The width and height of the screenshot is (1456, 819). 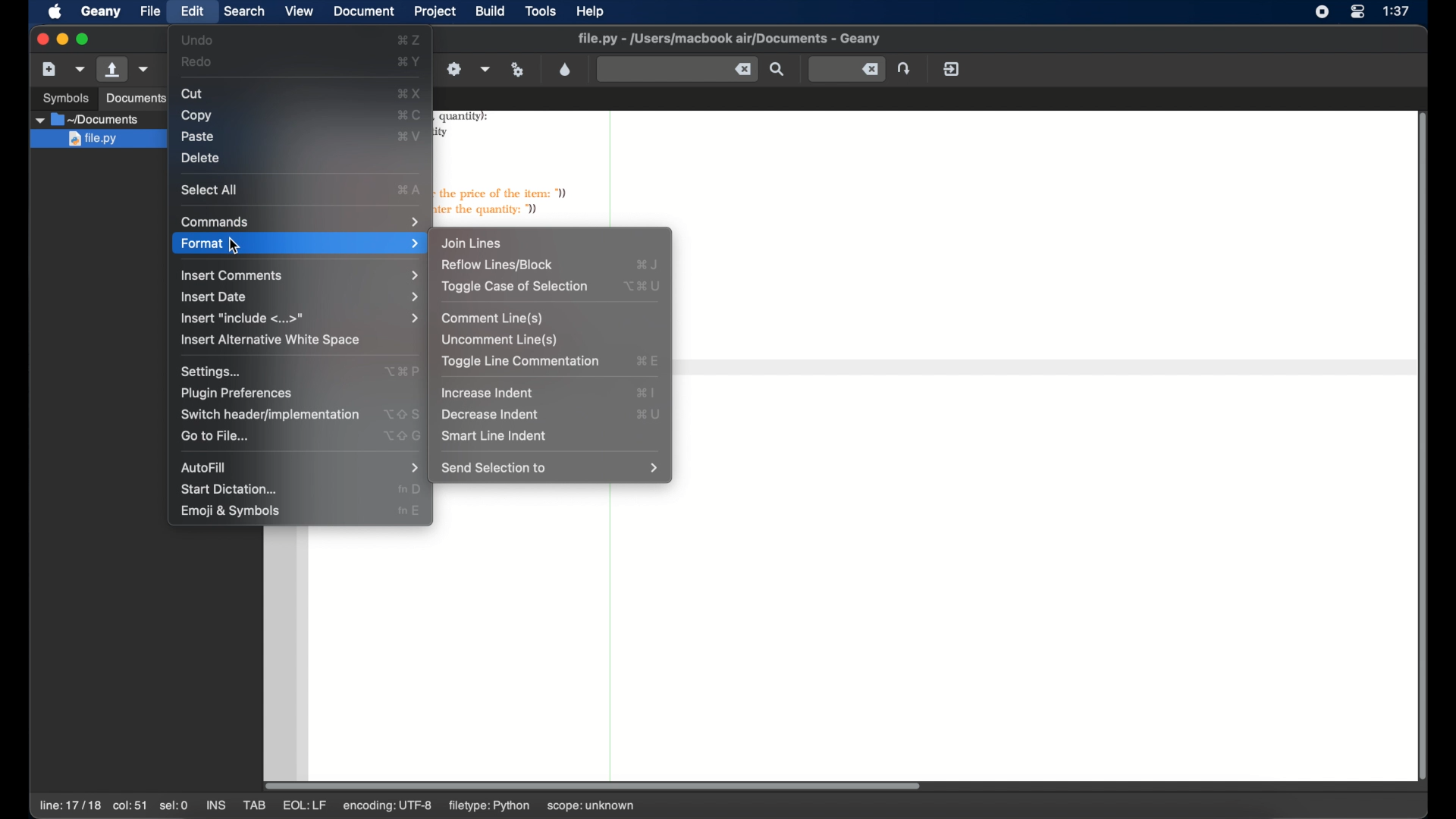 I want to click on comment lines, so click(x=491, y=318).